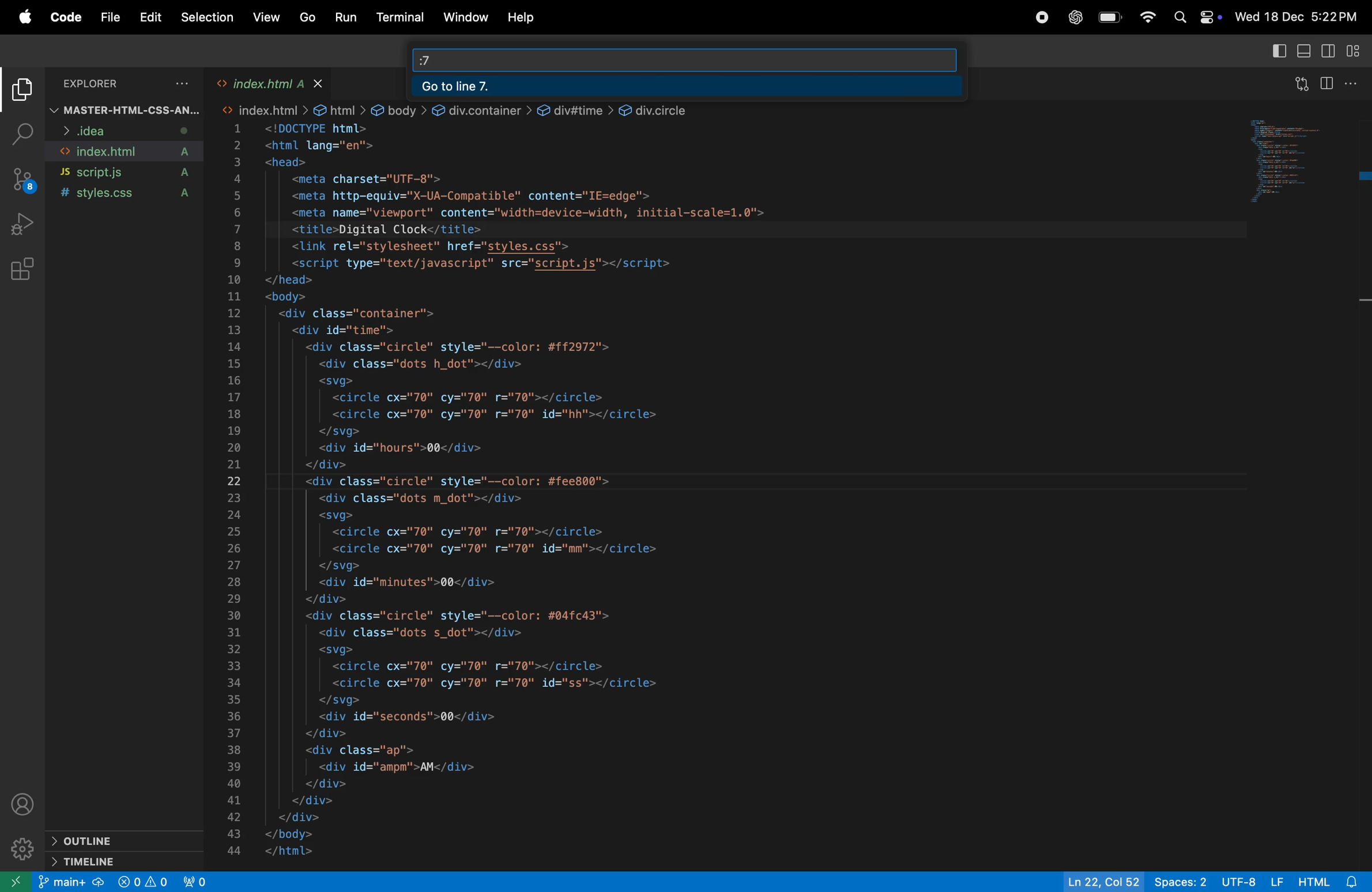 Image resolution: width=1372 pixels, height=892 pixels. Describe the element at coordinates (1303, 51) in the screenshot. I see `toggle panel` at that location.